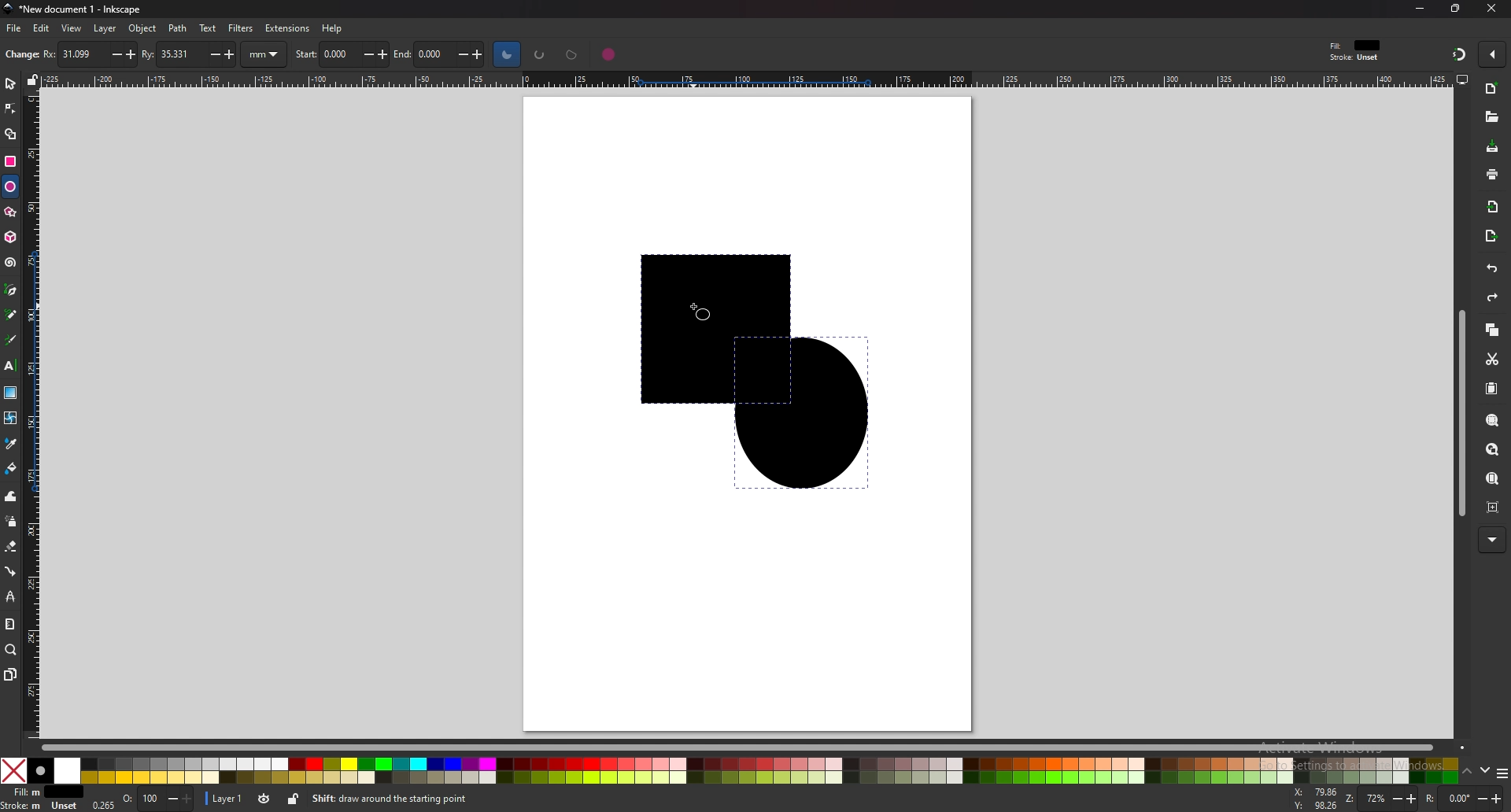 The width and height of the screenshot is (1511, 812). I want to click on print, so click(1494, 173).